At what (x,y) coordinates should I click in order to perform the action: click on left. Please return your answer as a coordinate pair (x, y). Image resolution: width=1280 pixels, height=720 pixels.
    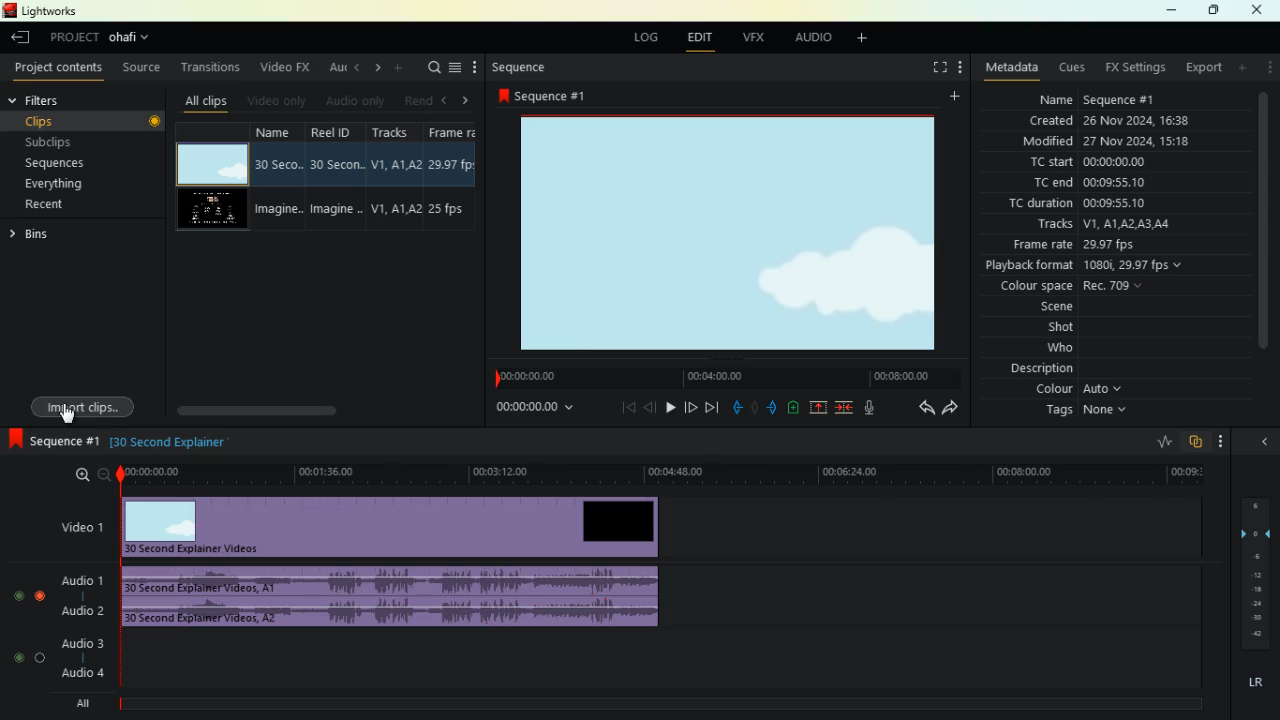
    Looking at the image, I should click on (446, 100).